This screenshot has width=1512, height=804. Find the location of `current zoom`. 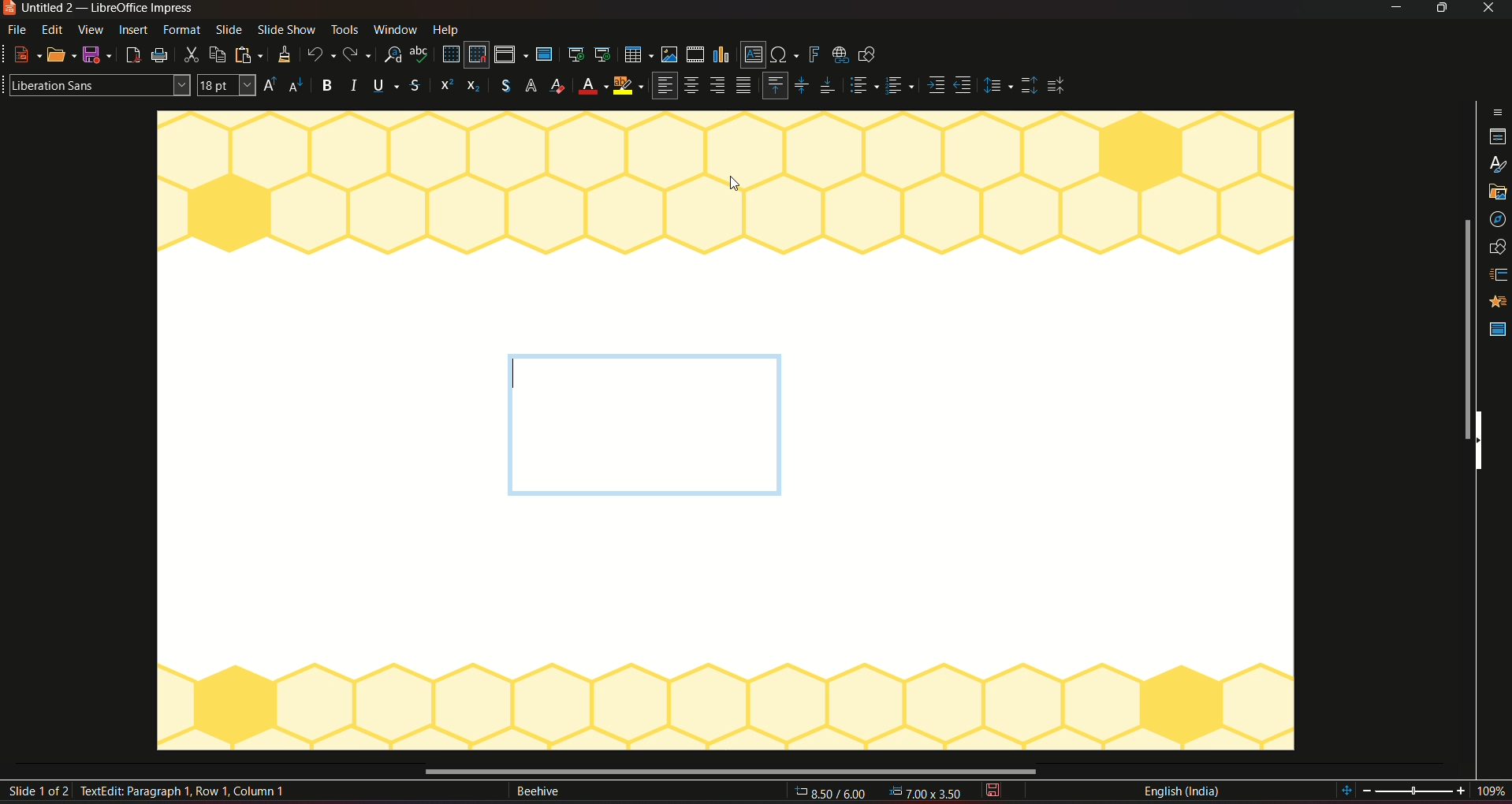

current zoom is located at coordinates (1496, 792).